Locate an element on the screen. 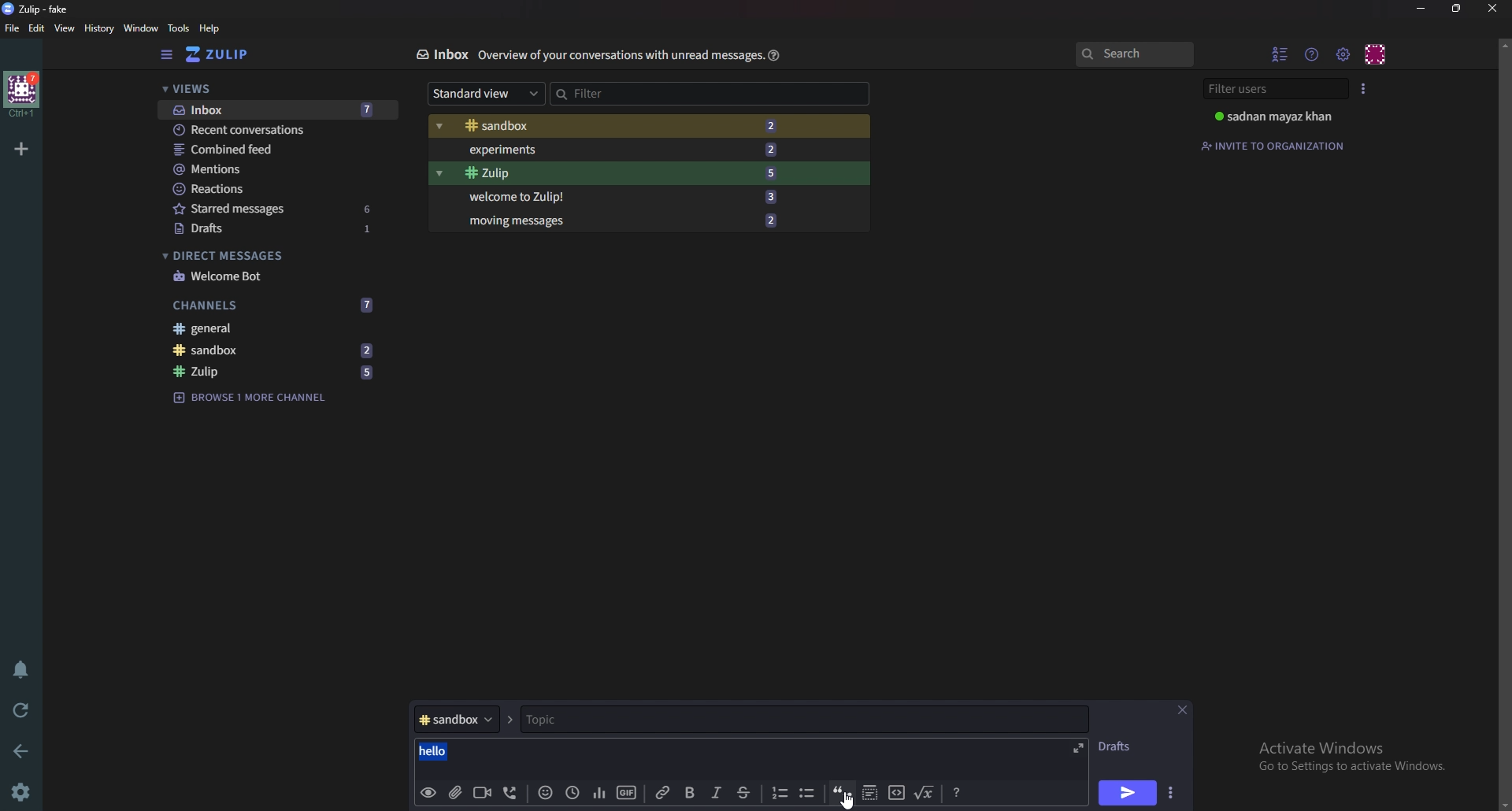 Image resolution: width=1512 pixels, height=811 pixels. link is located at coordinates (663, 794).